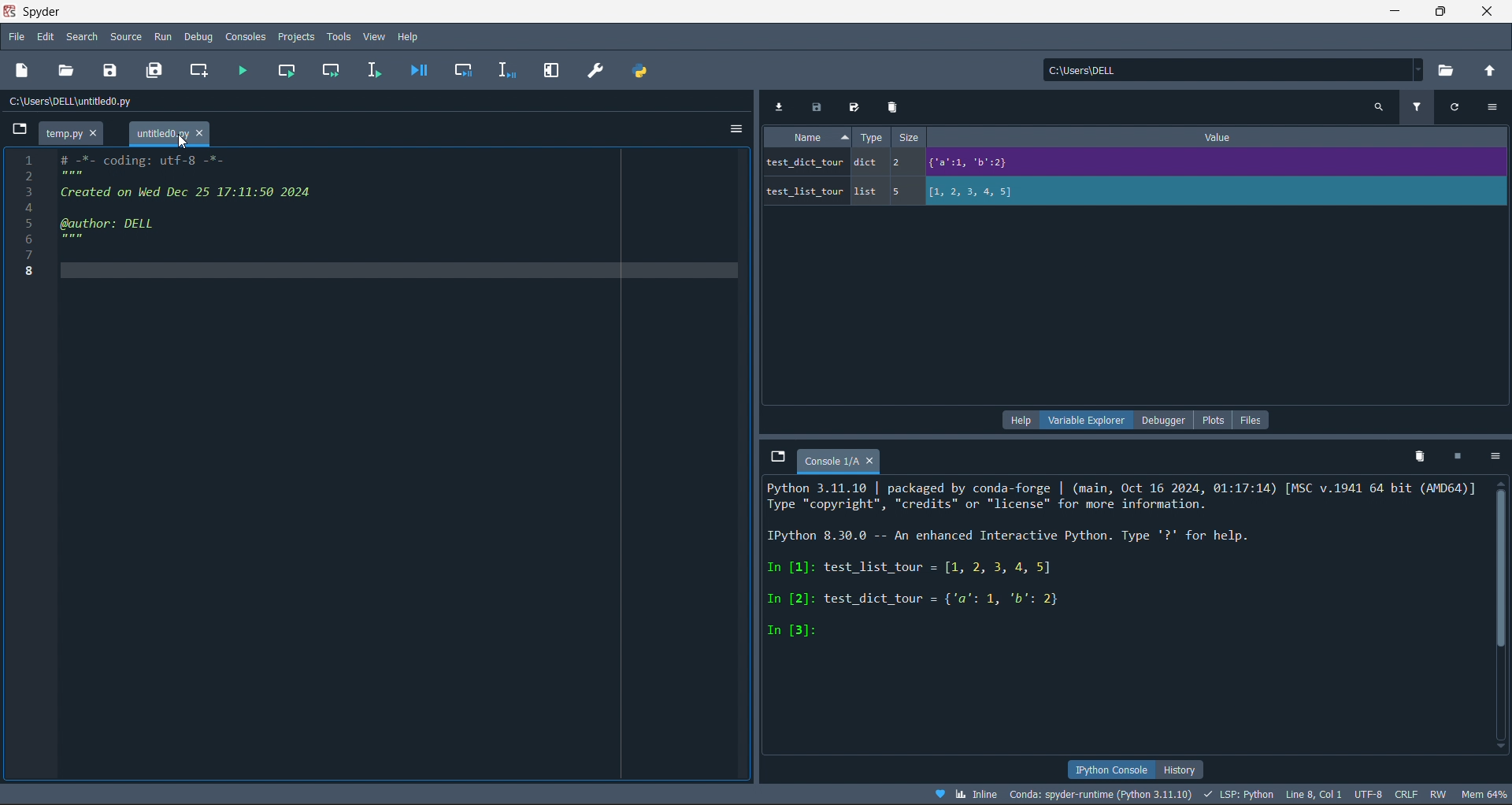  What do you see at coordinates (80, 37) in the screenshot?
I see `search` at bounding box center [80, 37].